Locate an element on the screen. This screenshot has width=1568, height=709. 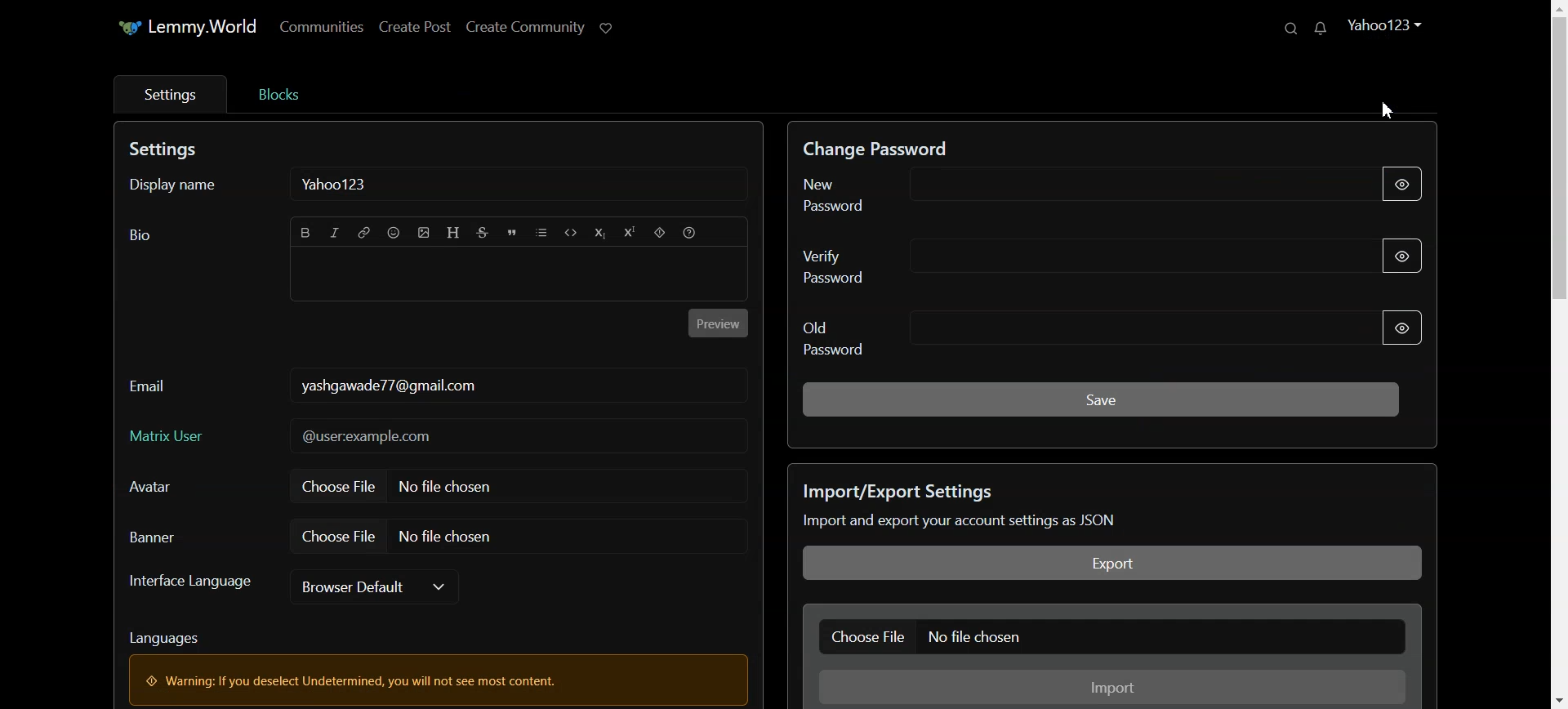
Settings is located at coordinates (167, 95).